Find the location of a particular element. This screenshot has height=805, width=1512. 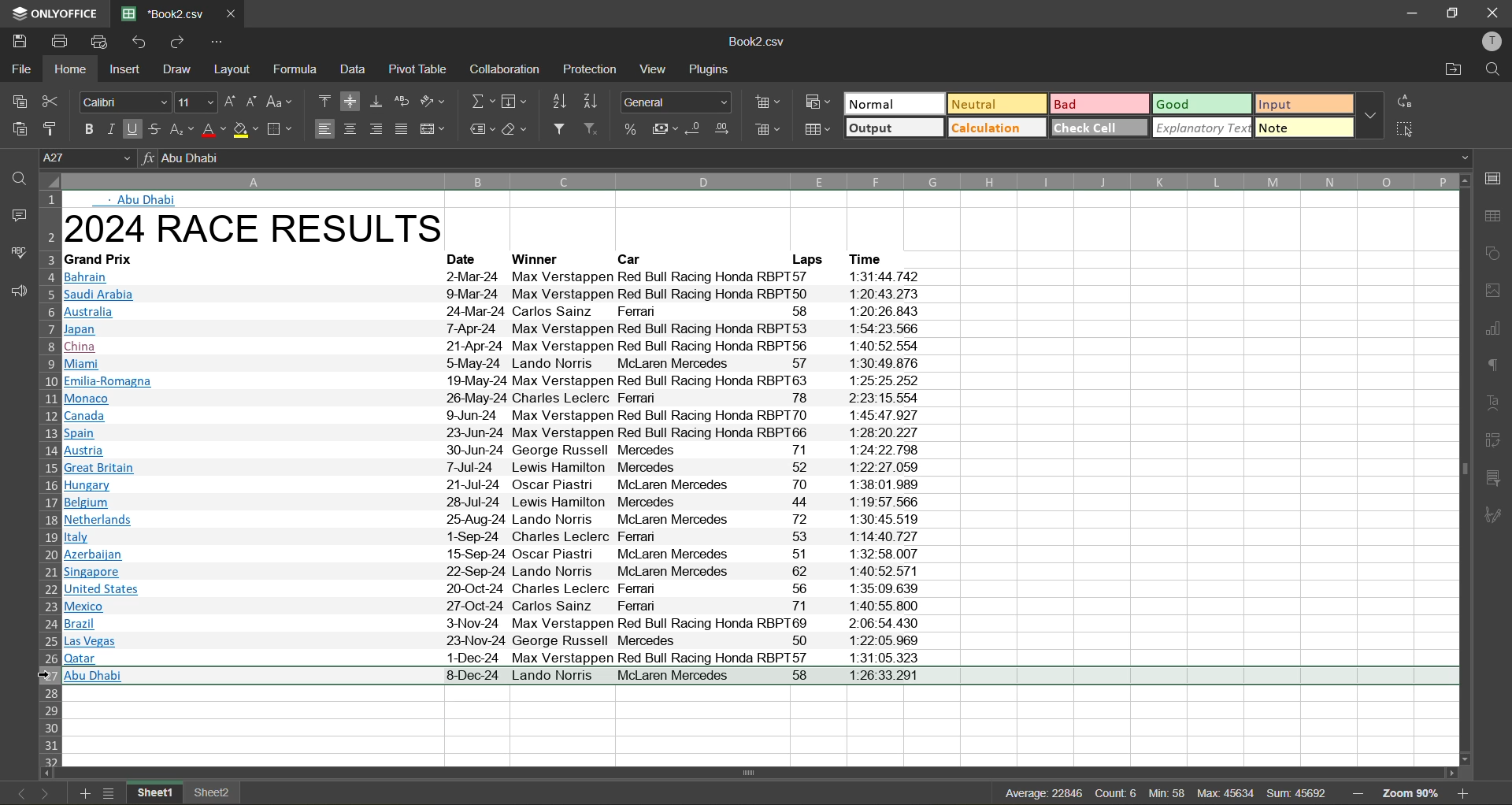

replace is located at coordinates (1406, 102).